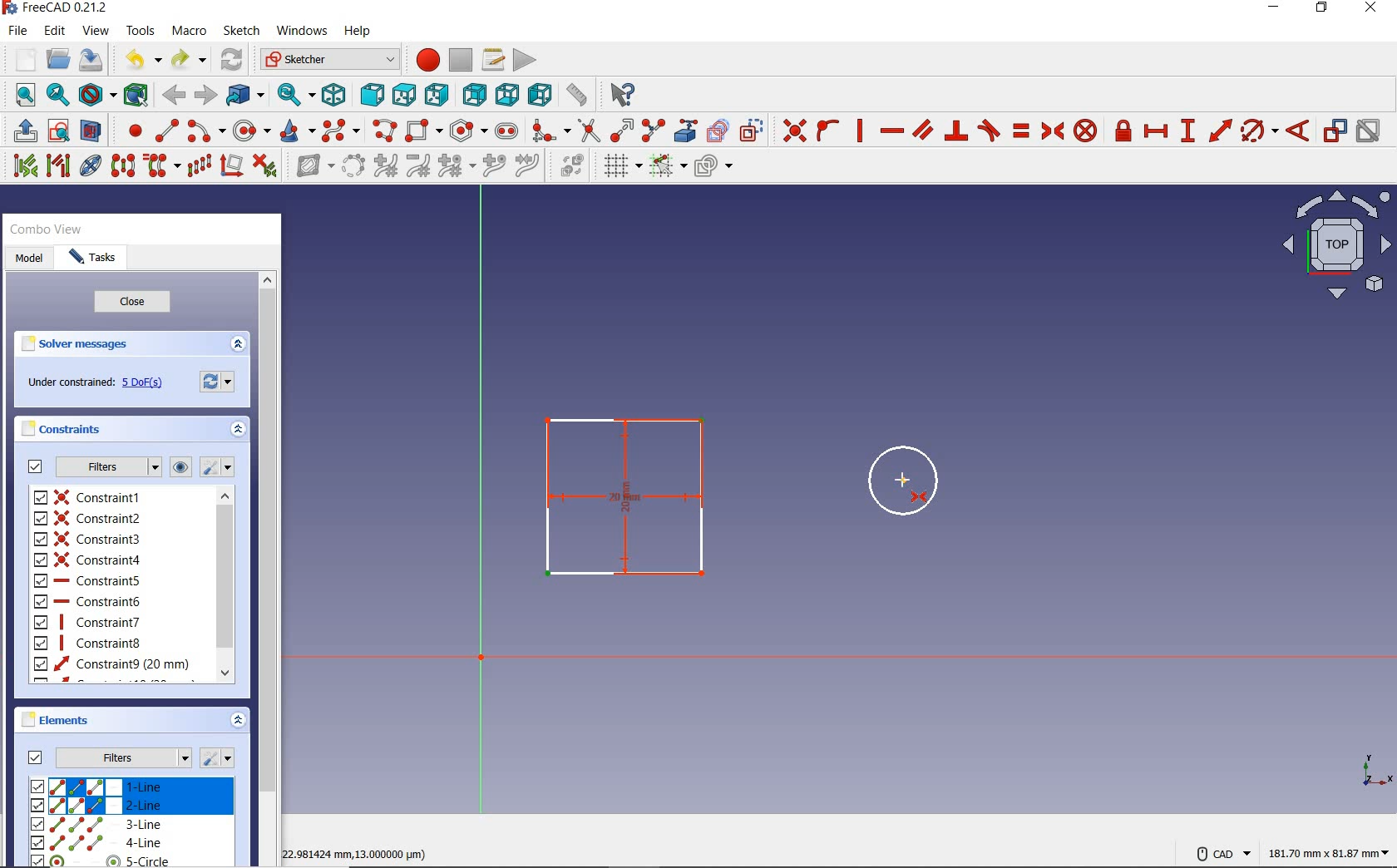  What do you see at coordinates (358, 32) in the screenshot?
I see `help` at bounding box center [358, 32].